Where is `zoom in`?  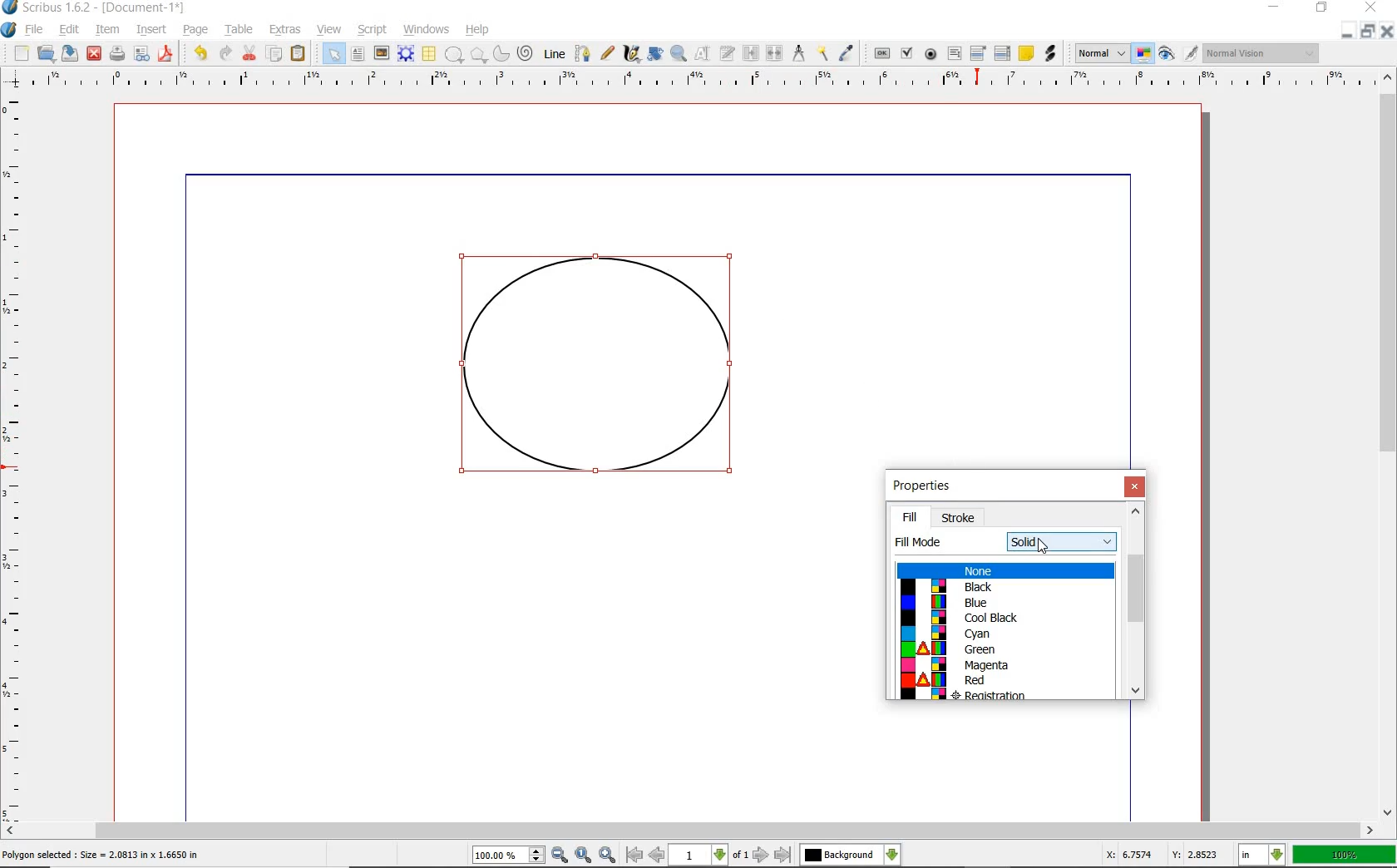
zoom in is located at coordinates (609, 854).